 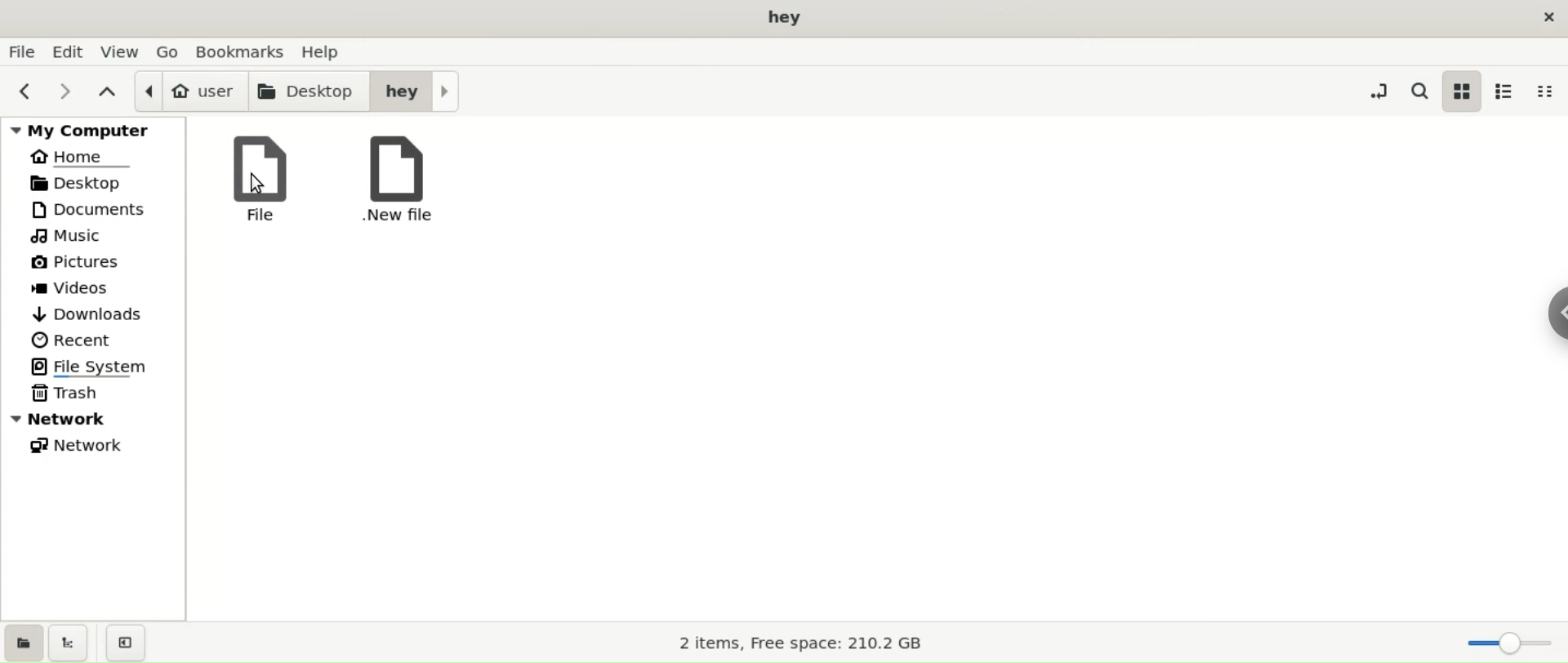 I want to click on videos, so click(x=92, y=287).